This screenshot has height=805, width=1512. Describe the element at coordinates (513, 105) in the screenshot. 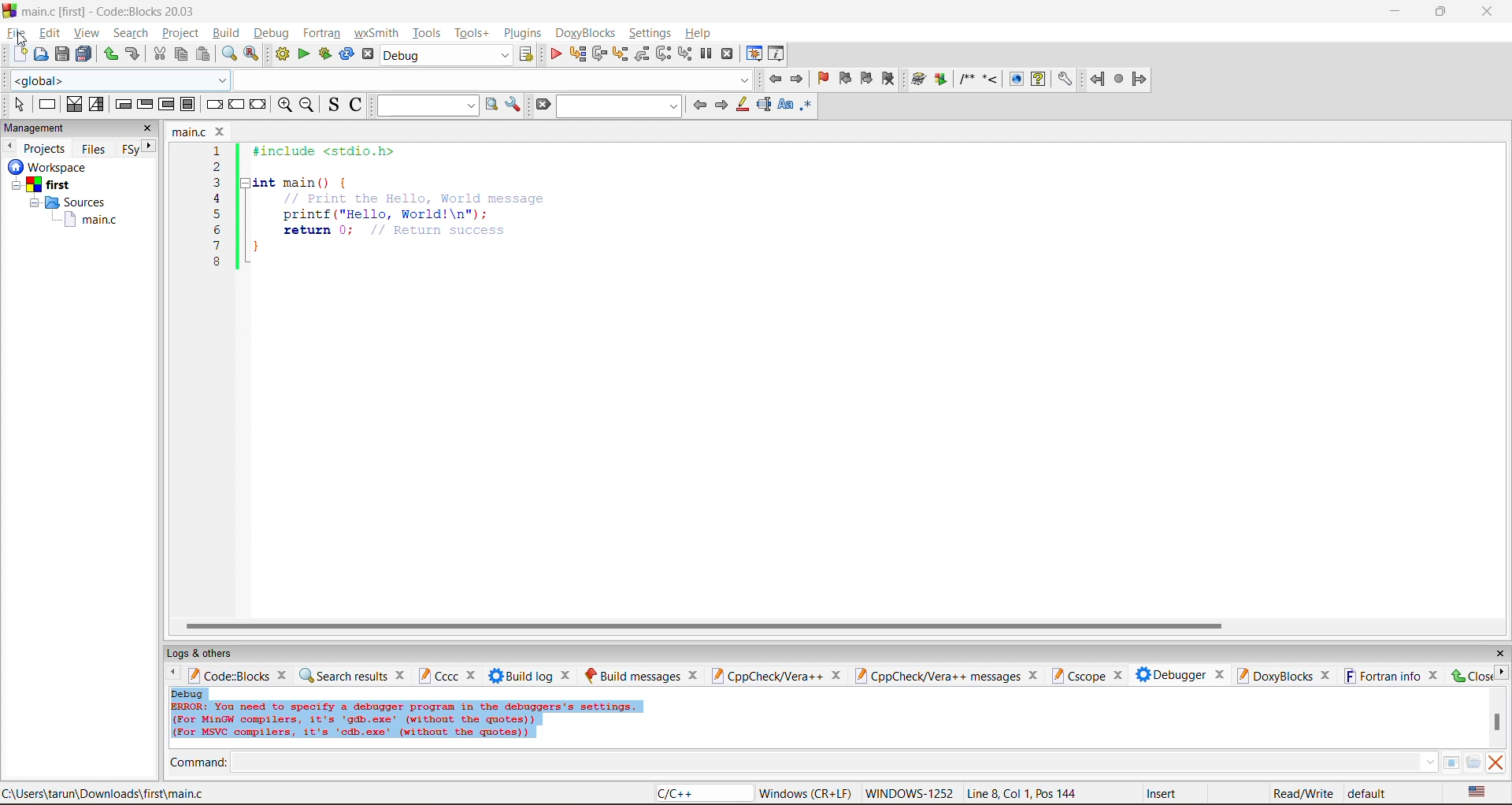

I see `show options window` at that location.